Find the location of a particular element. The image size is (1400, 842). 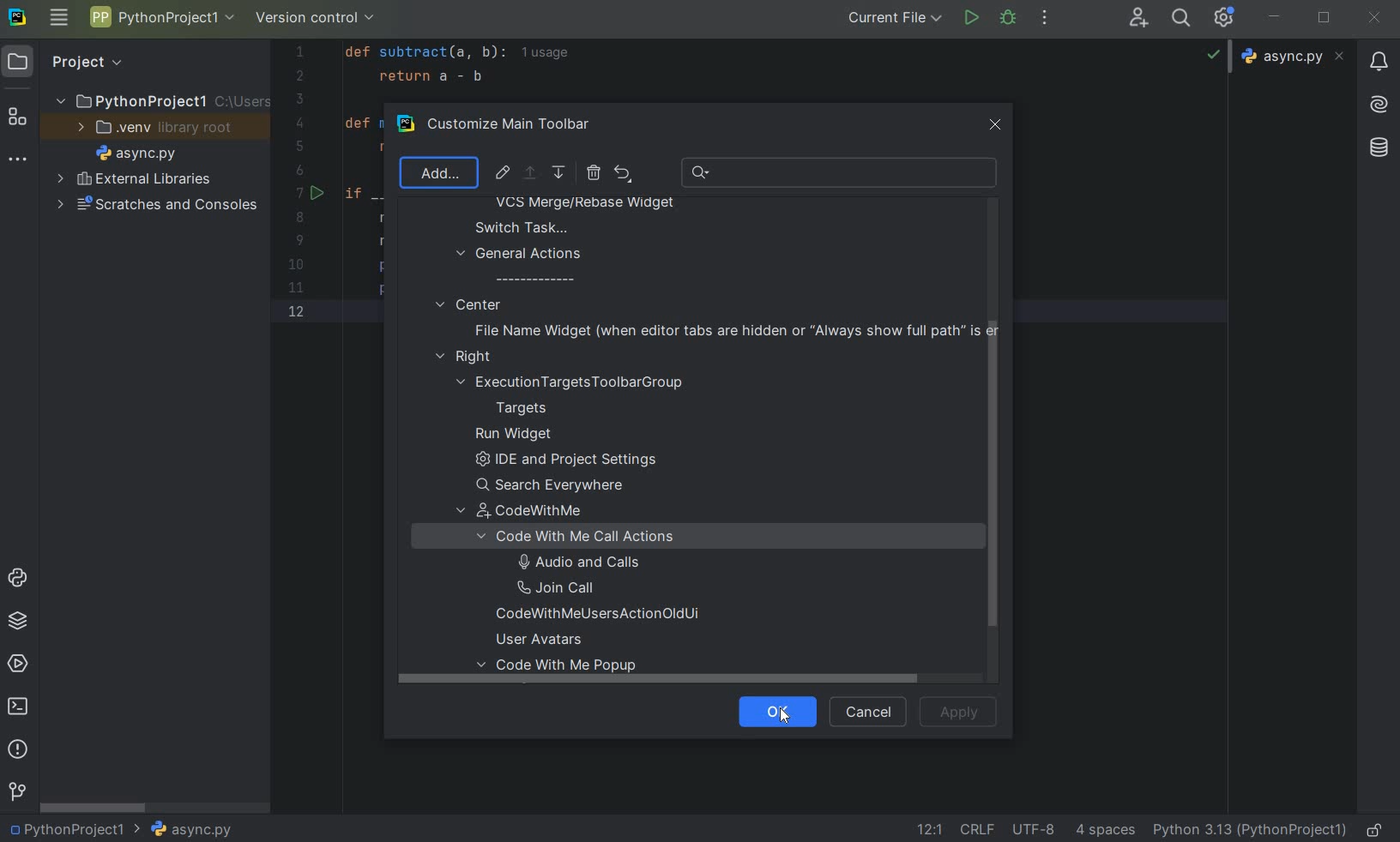

PYTHON PACKAGES is located at coordinates (17, 623).